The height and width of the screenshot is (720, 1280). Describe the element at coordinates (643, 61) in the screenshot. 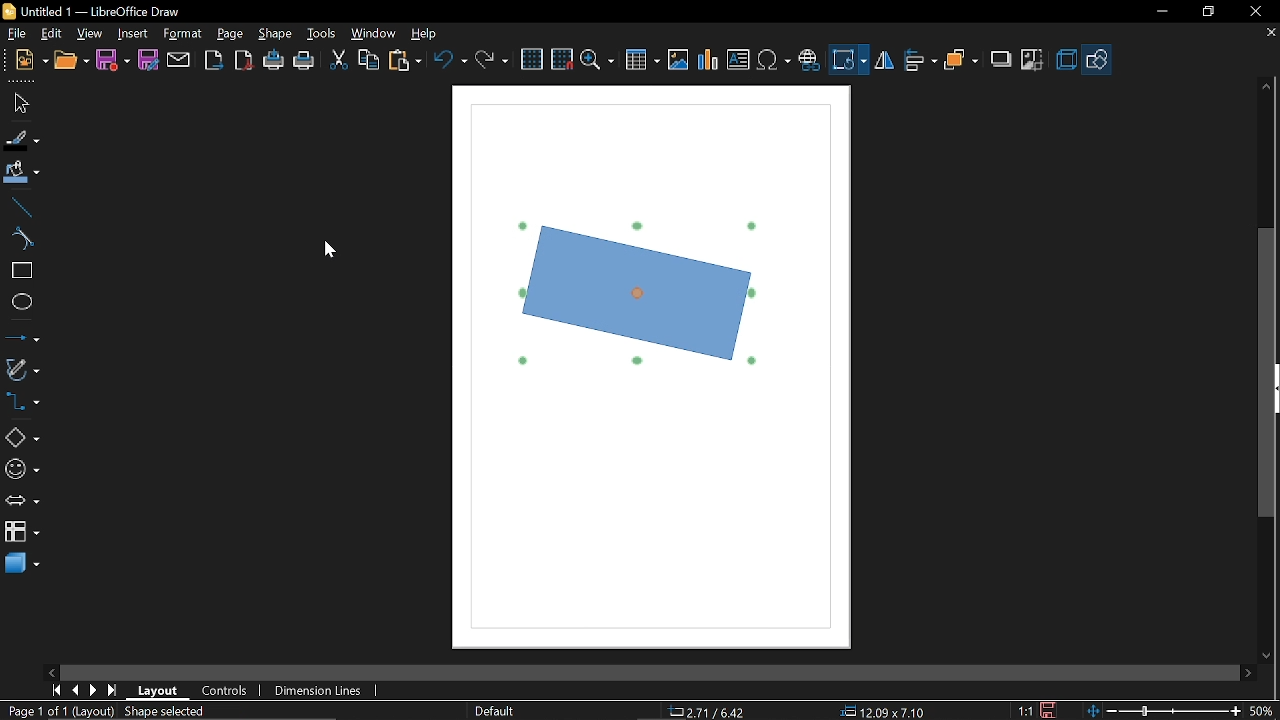

I see `Insert table` at that location.